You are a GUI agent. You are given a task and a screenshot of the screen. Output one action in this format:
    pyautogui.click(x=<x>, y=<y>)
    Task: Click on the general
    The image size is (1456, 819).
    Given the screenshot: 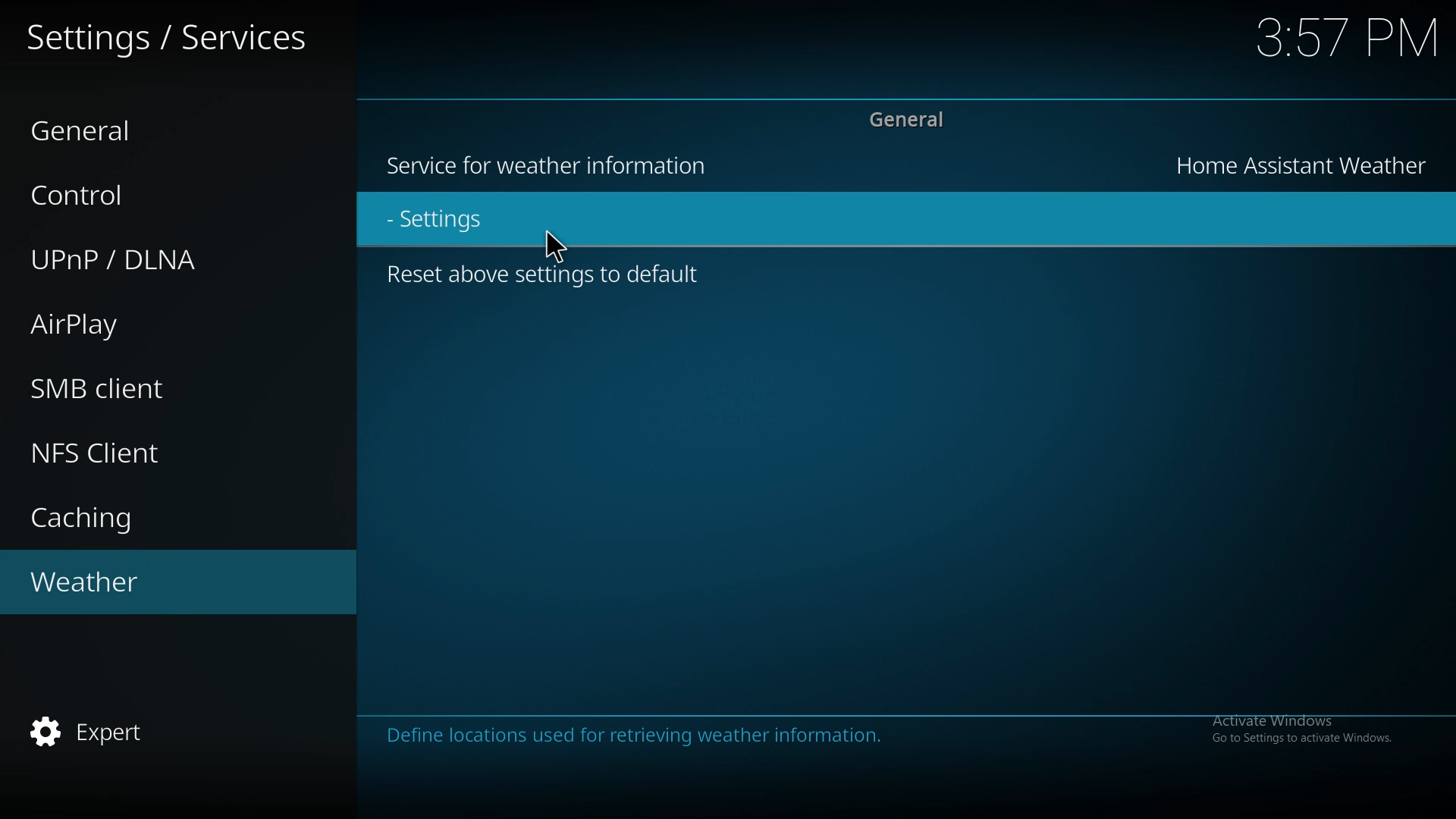 What is the action you would take?
    pyautogui.click(x=150, y=128)
    